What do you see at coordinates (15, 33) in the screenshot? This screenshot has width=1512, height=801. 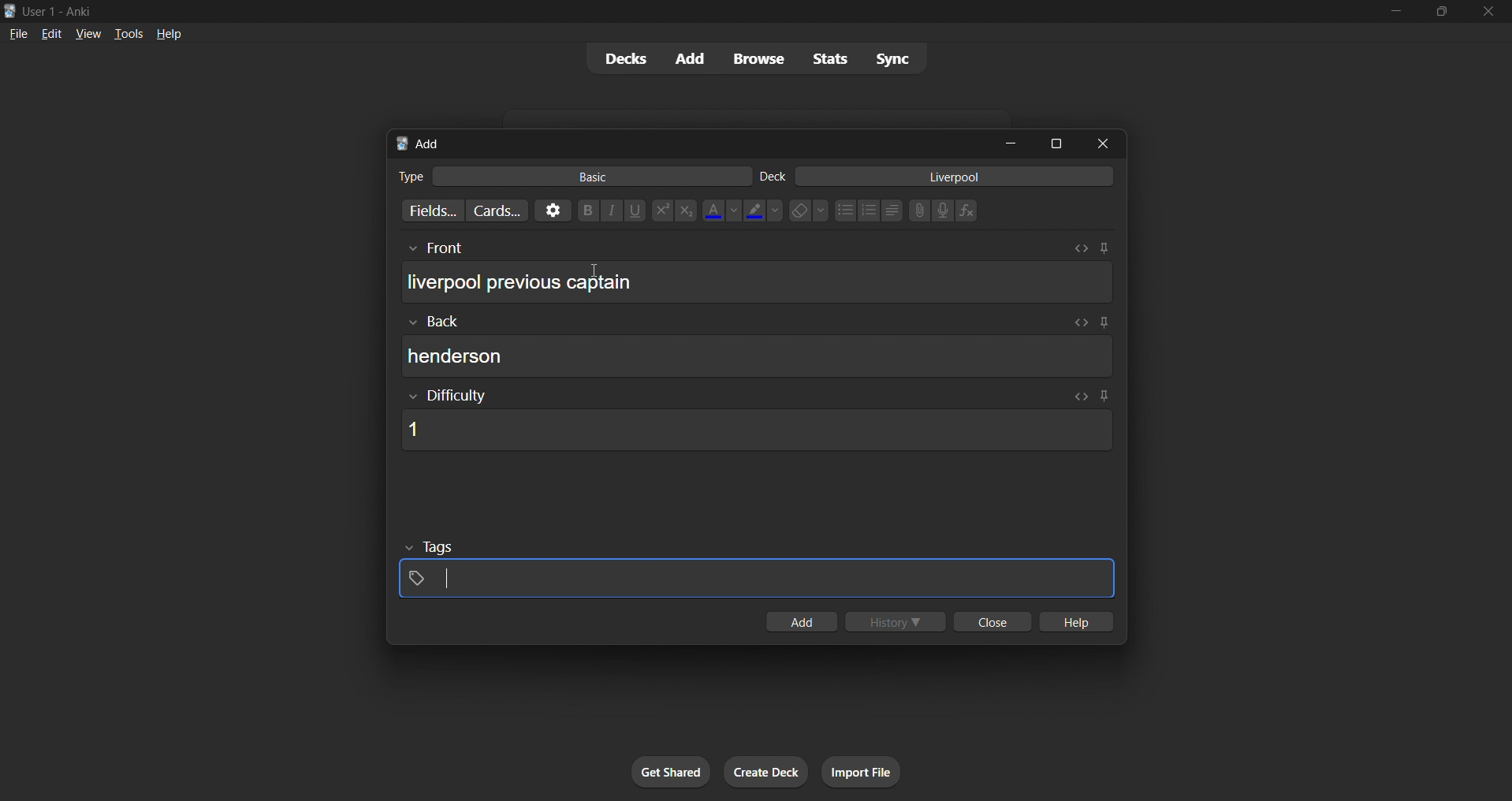 I see `file` at bounding box center [15, 33].